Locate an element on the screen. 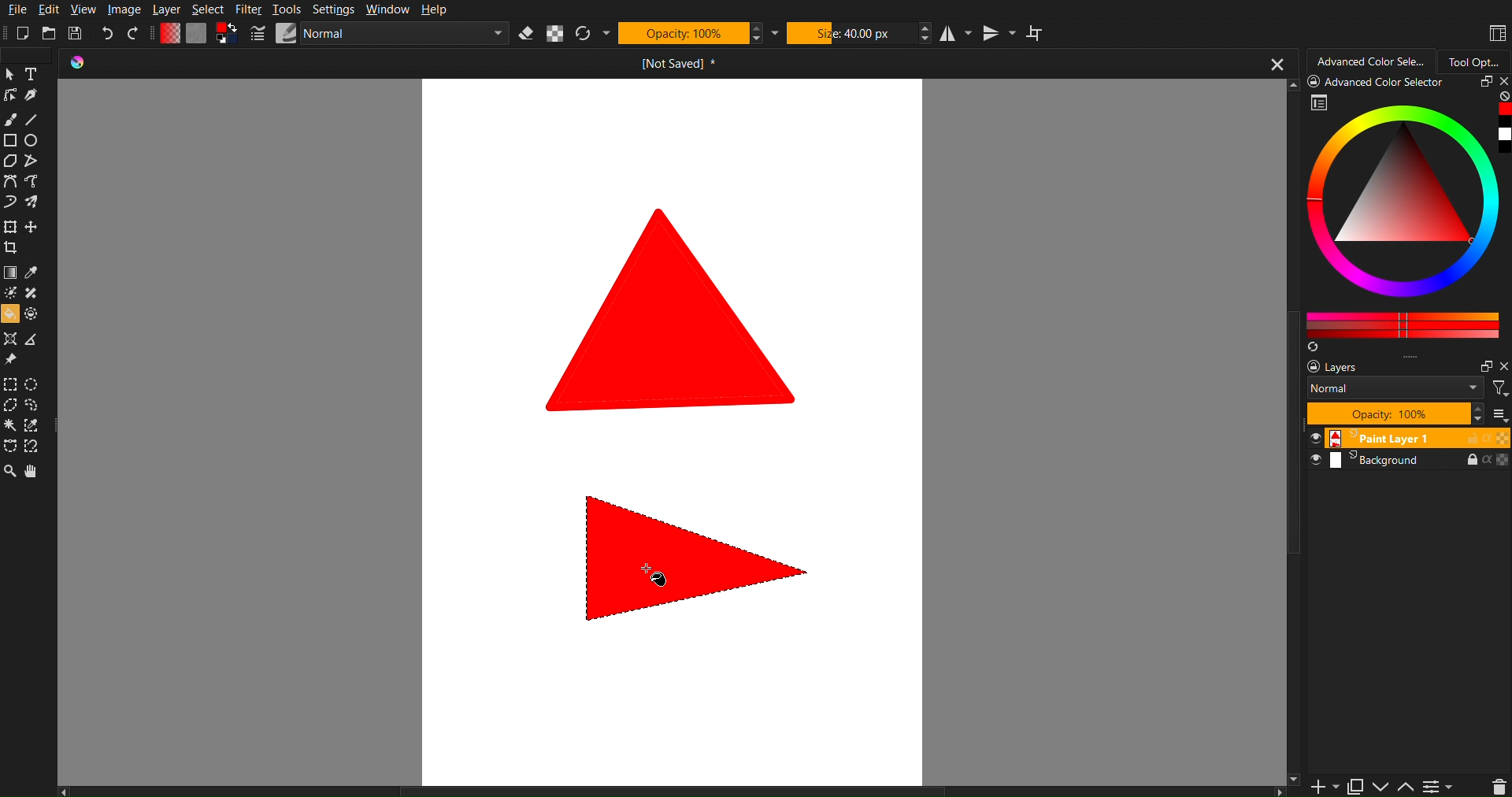 The width and height of the screenshot is (1512, 797). Redo is located at coordinates (138, 33).